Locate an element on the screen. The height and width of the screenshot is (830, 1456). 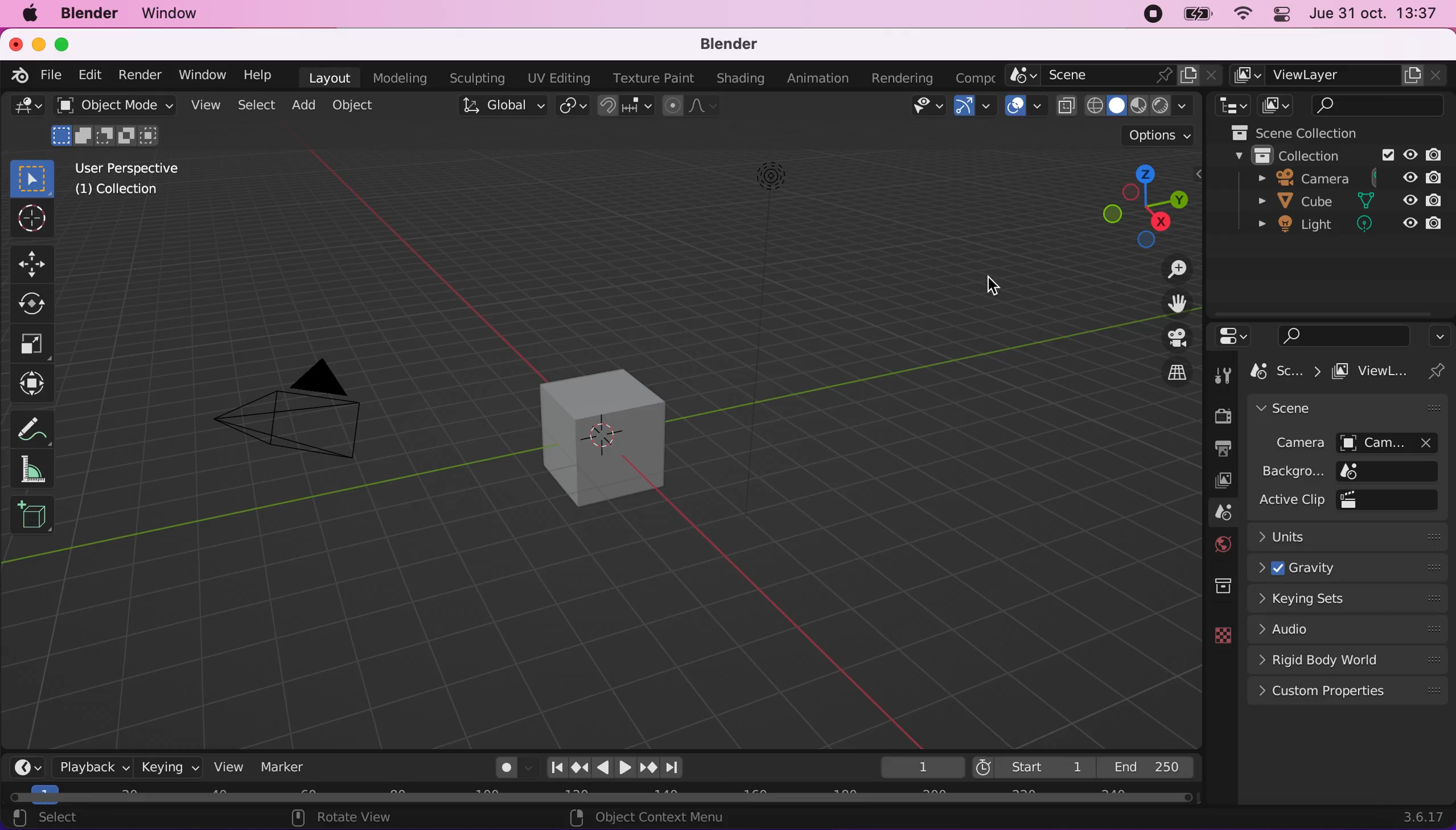
proportional editing objects is located at coordinates (689, 107).